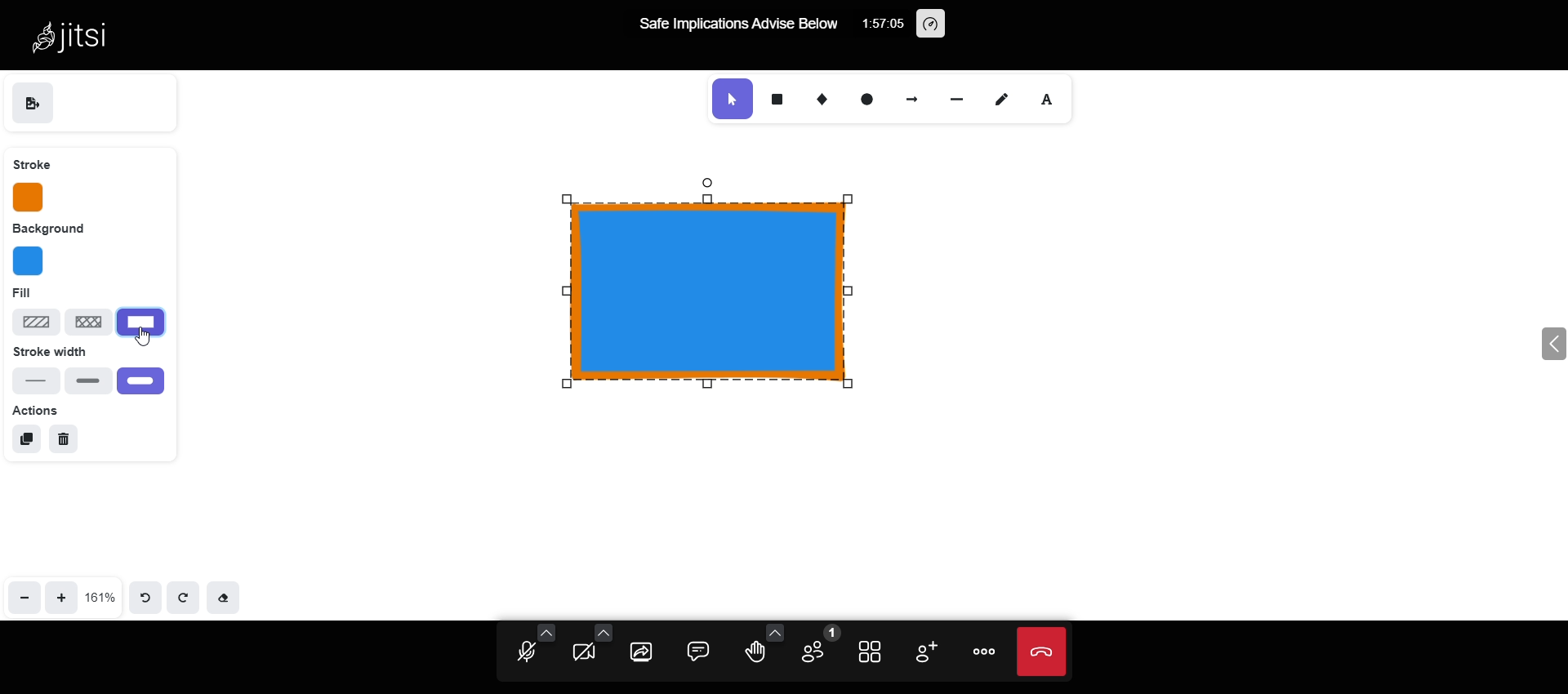 Image resolution: width=1568 pixels, height=694 pixels. I want to click on rectangle, so click(773, 99).